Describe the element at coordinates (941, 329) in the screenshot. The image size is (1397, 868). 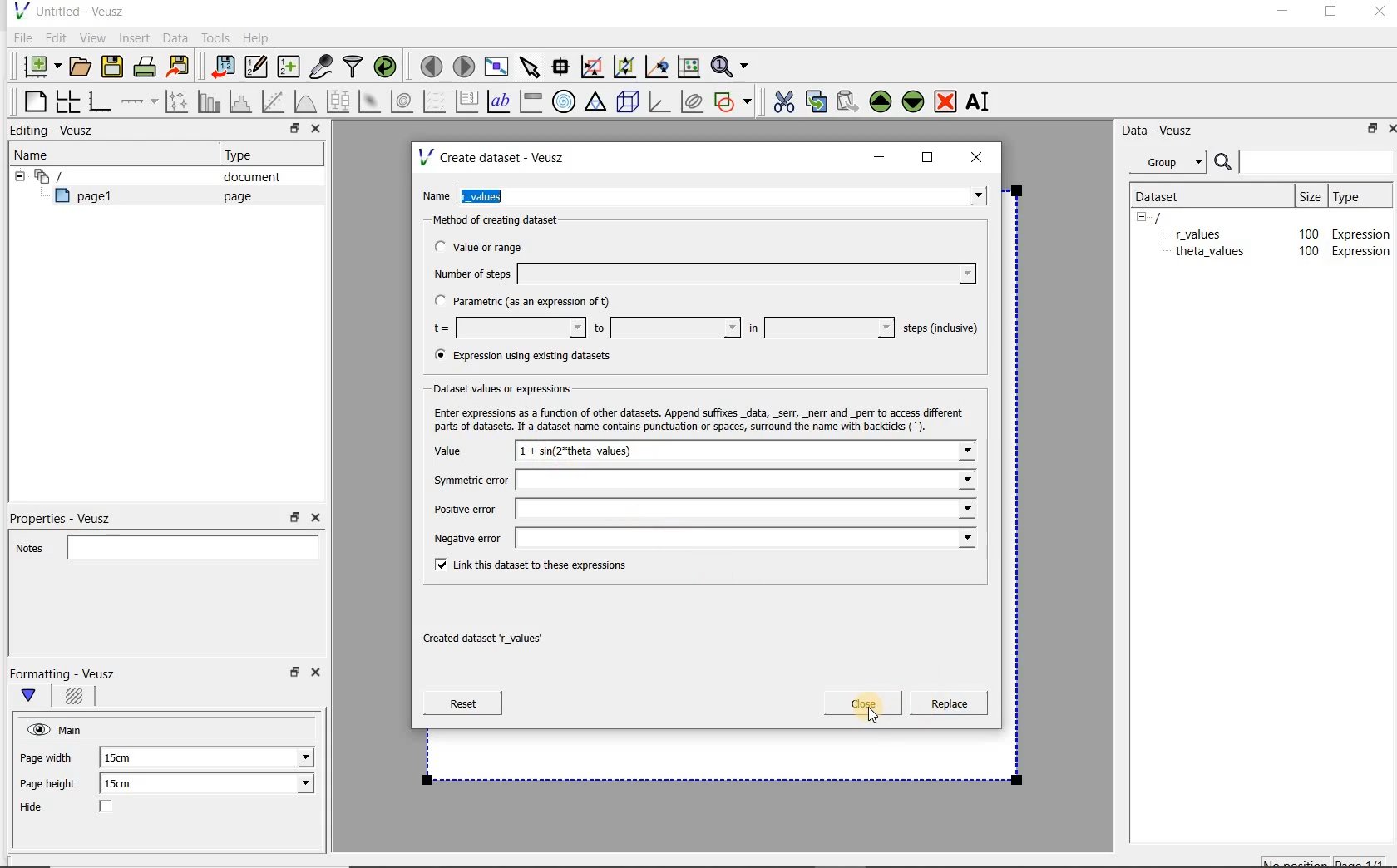
I see `steps (inclusive)` at that location.